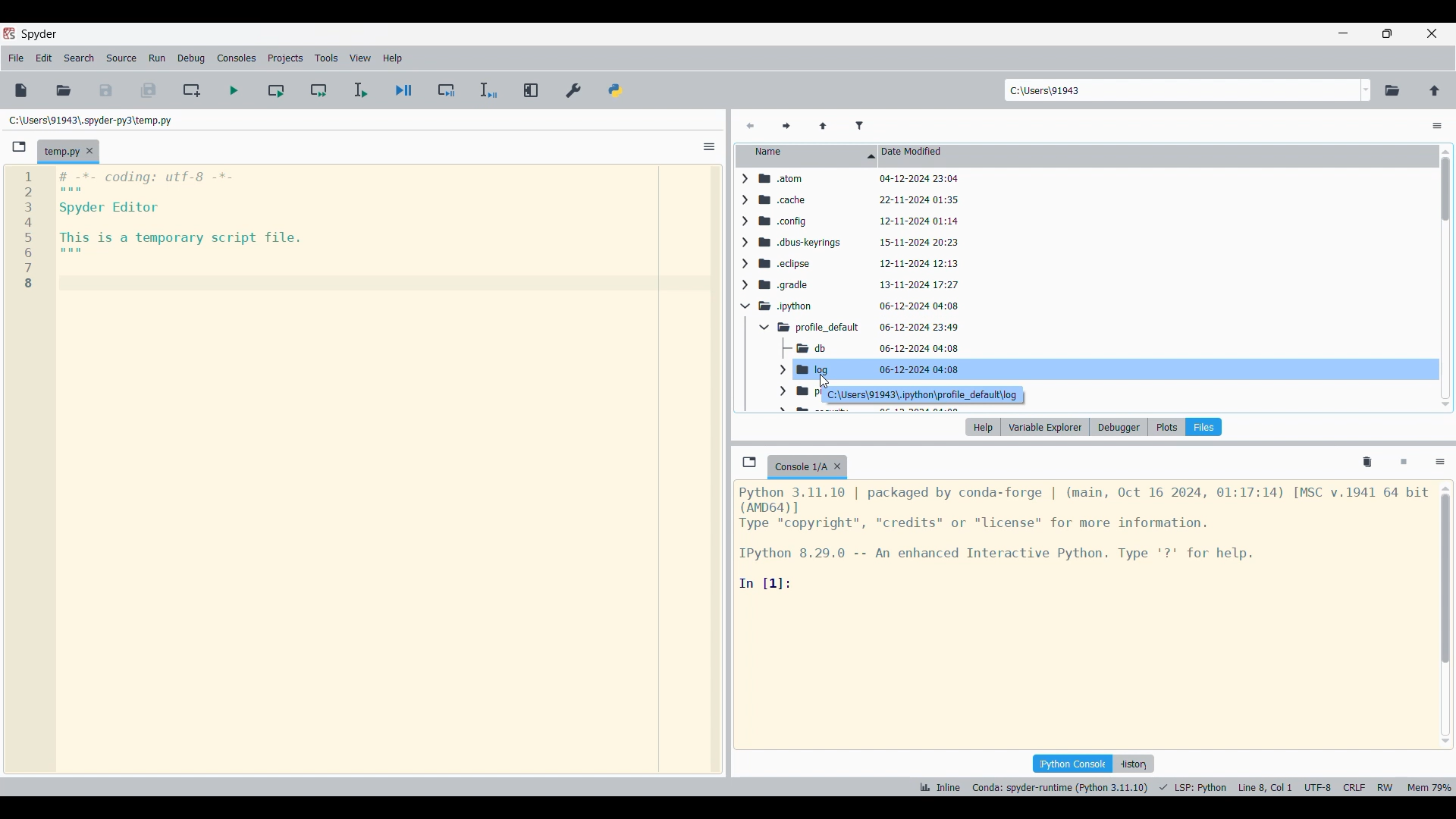  What do you see at coordinates (859, 127) in the screenshot?
I see `Filter` at bounding box center [859, 127].